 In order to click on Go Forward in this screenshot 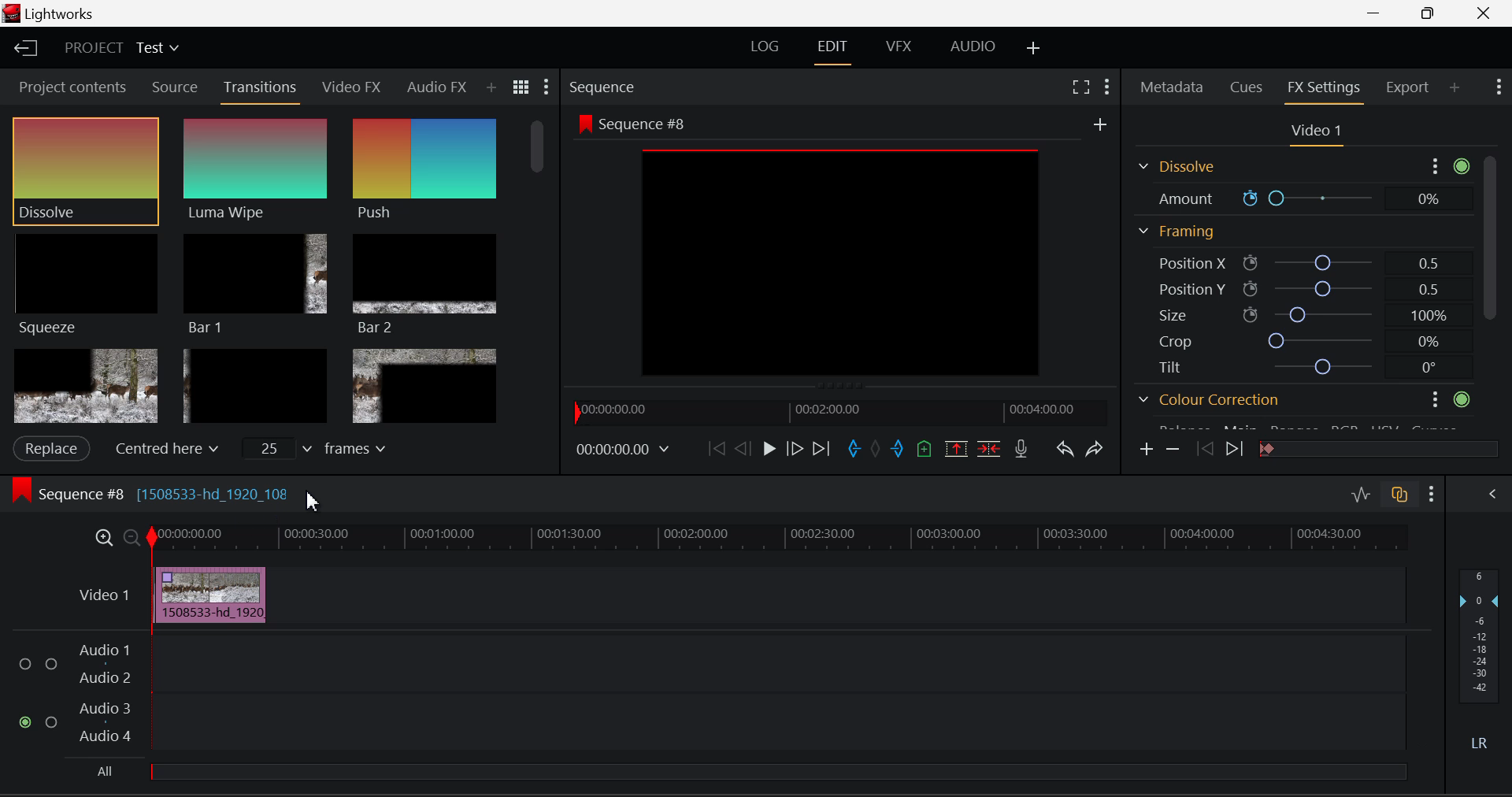, I will do `click(794, 451)`.